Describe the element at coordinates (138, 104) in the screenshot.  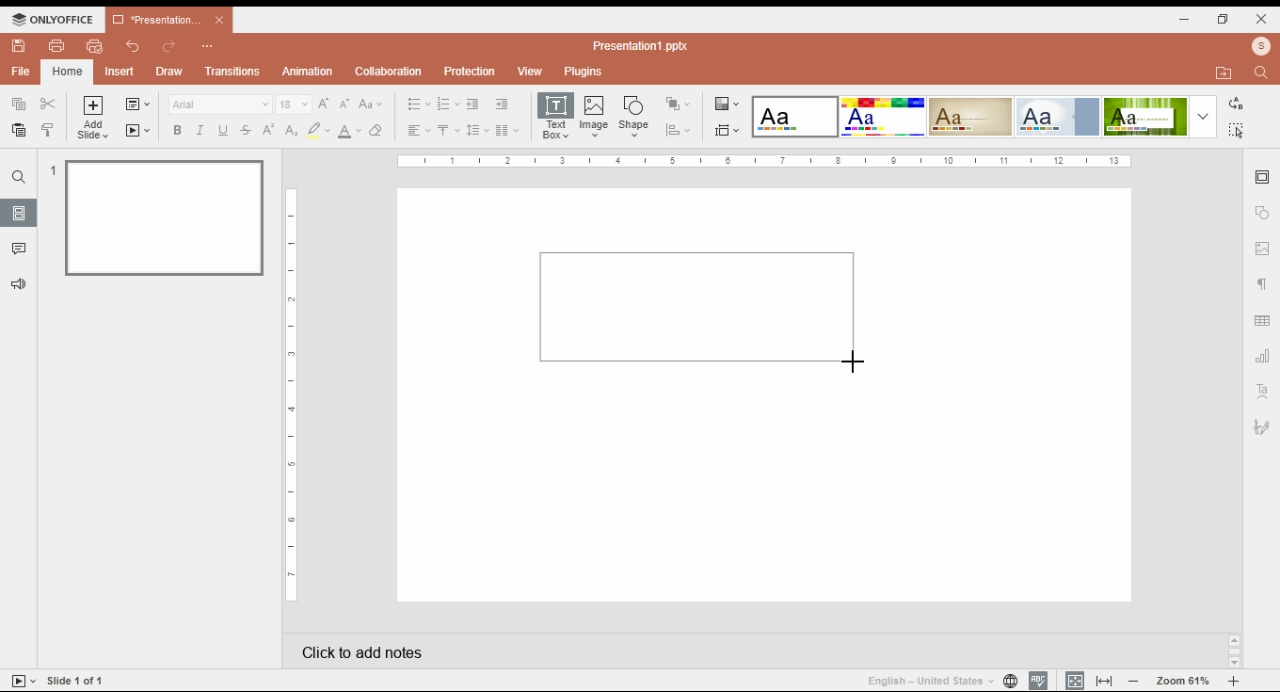
I see `change slide layout` at that location.